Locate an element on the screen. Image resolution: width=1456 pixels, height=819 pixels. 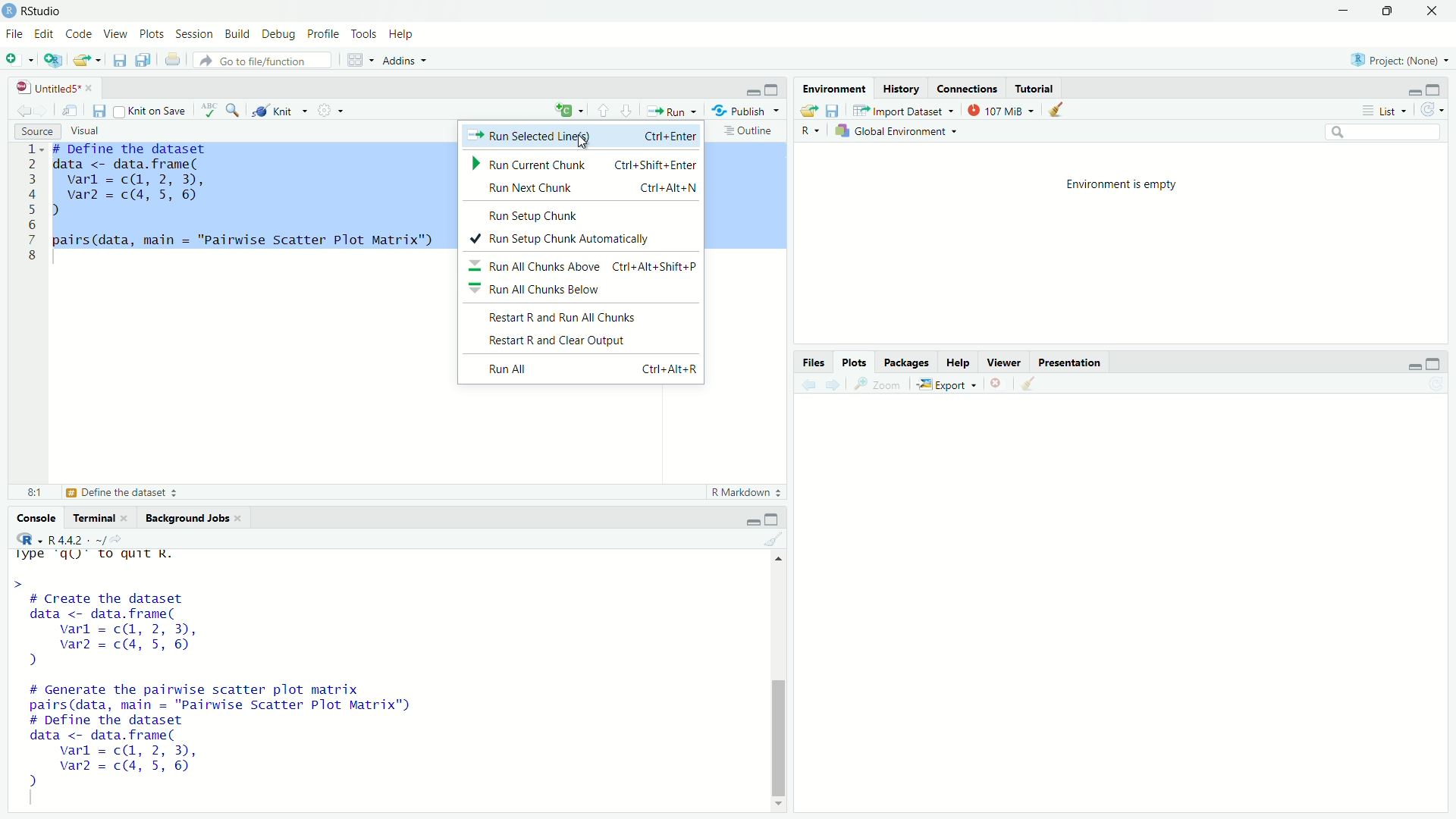
Create a project is located at coordinates (53, 58).